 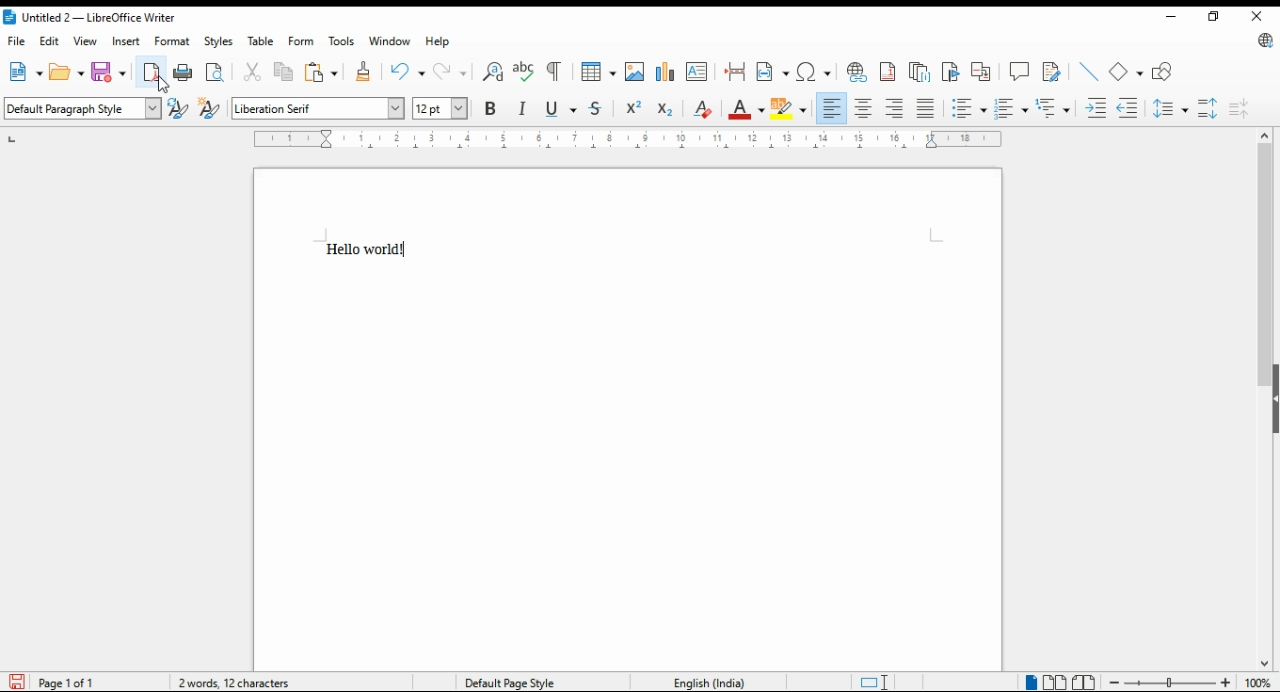 What do you see at coordinates (489, 109) in the screenshot?
I see `bold` at bounding box center [489, 109].